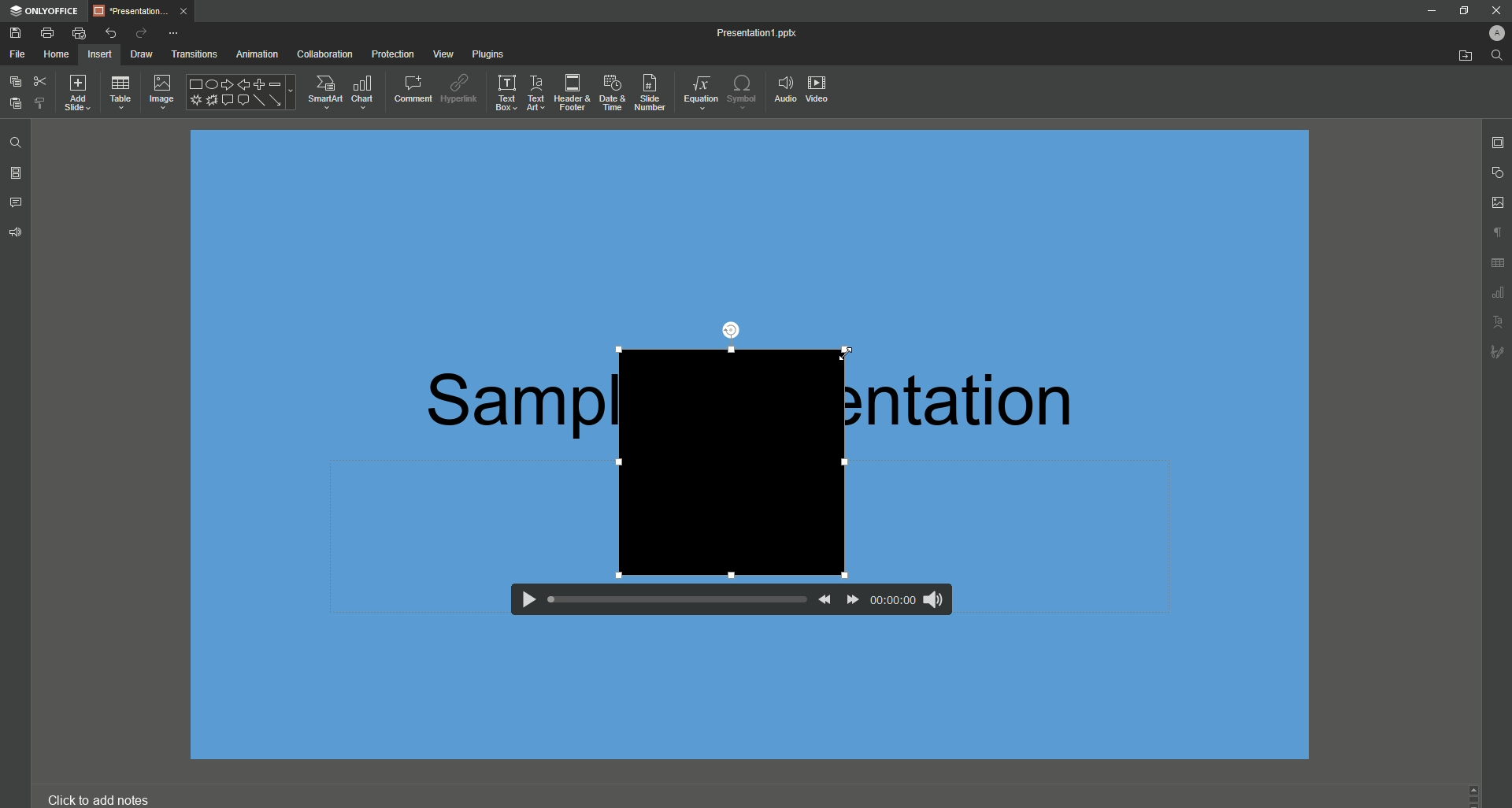  Describe the element at coordinates (1495, 55) in the screenshot. I see `Find` at that location.